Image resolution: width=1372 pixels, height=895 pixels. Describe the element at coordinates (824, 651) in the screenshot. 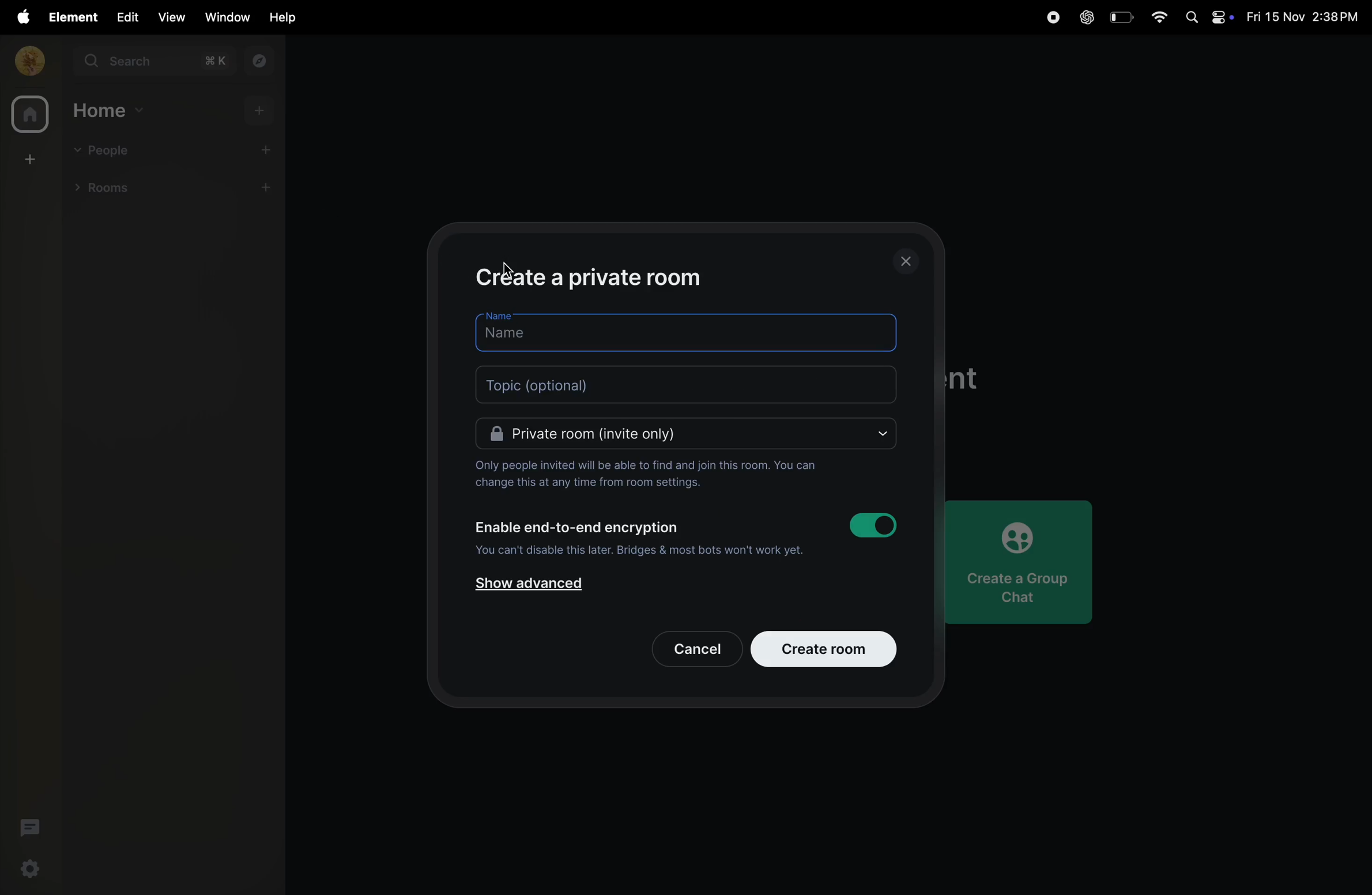

I see `create room` at that location.